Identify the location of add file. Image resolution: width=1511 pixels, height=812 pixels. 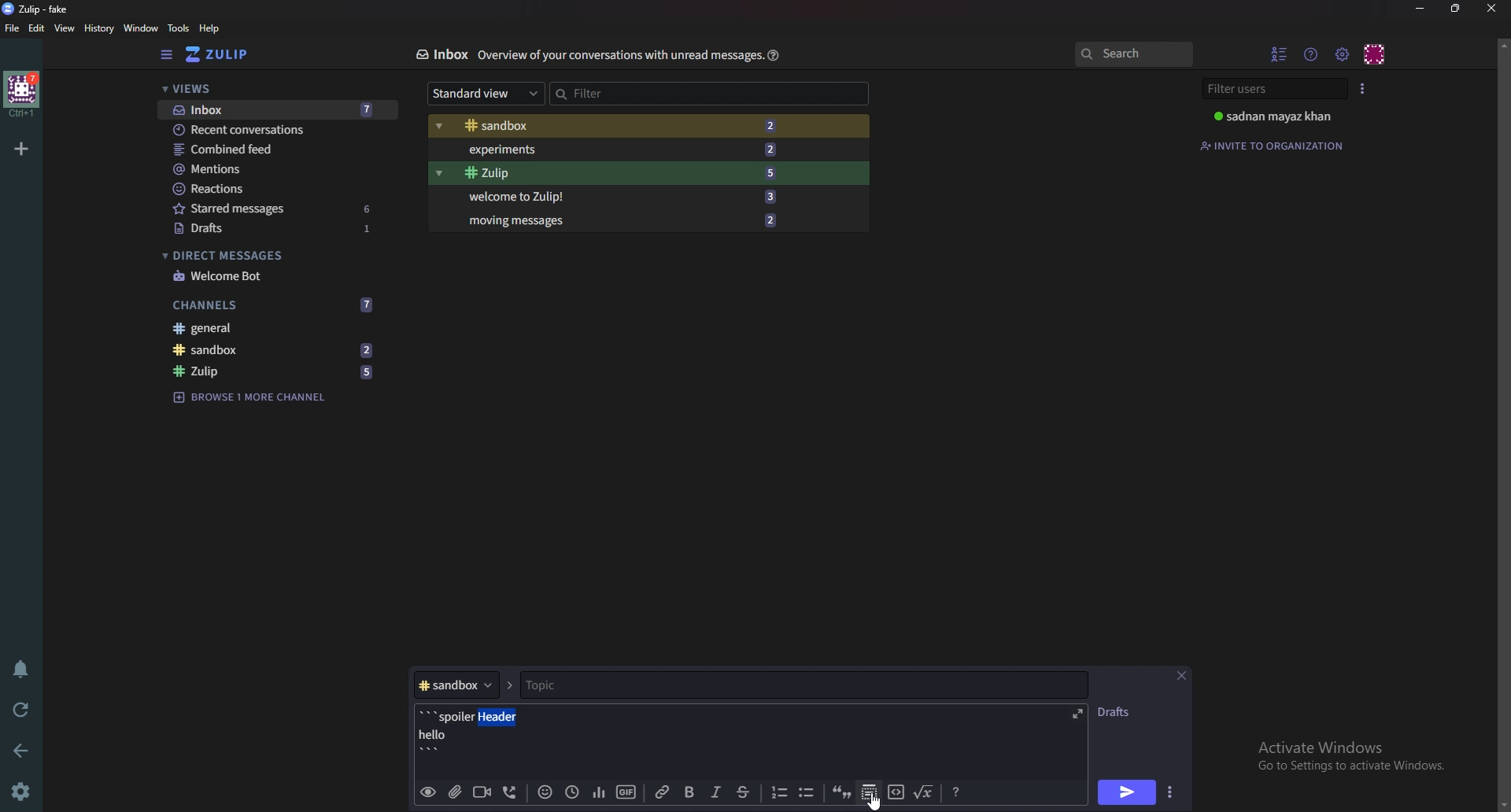
(455, 792).